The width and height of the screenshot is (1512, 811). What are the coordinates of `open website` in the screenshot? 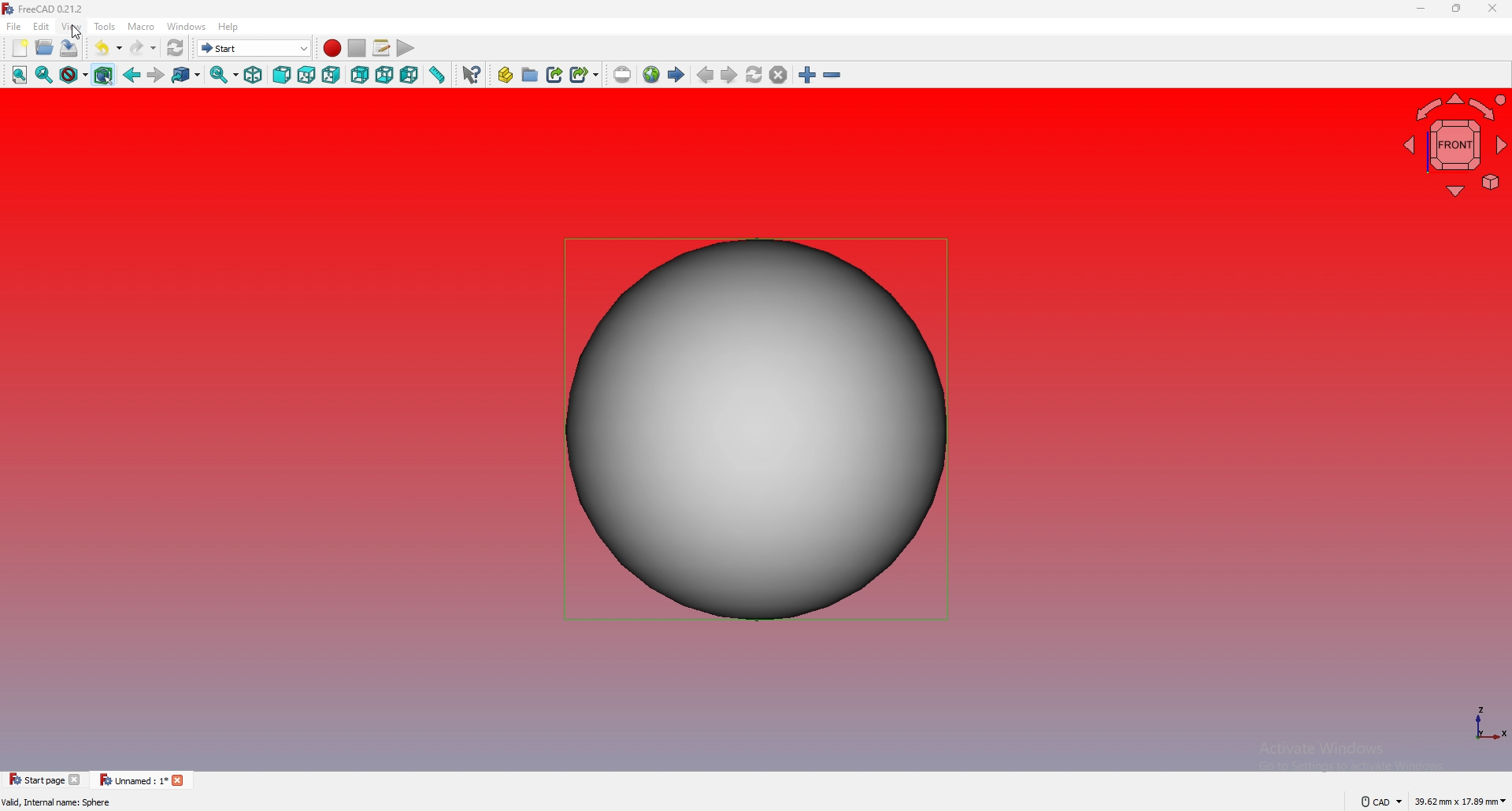 It's located at (651, 75).